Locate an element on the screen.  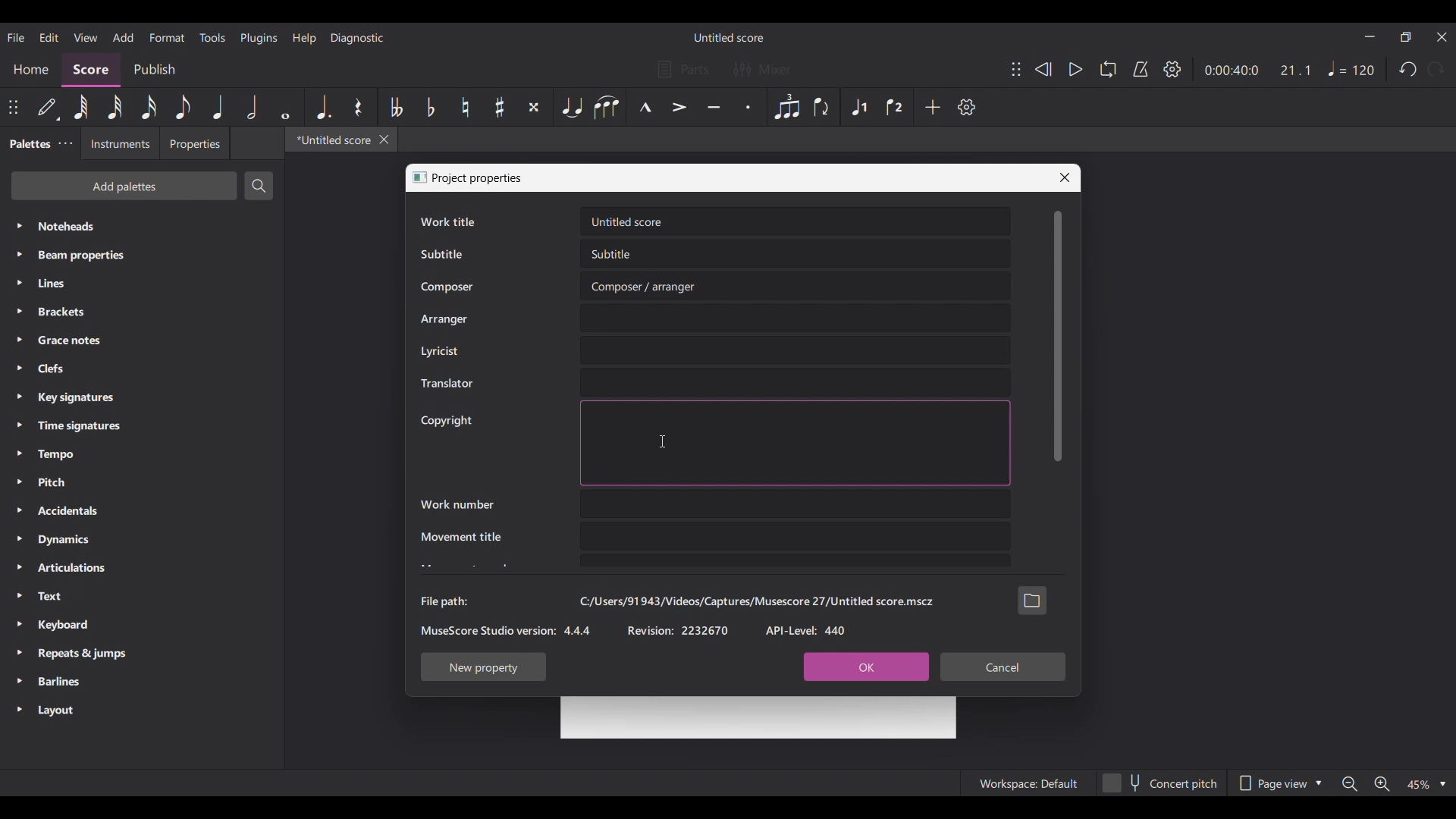
Voice 2 is located at coordinates (896, 107).